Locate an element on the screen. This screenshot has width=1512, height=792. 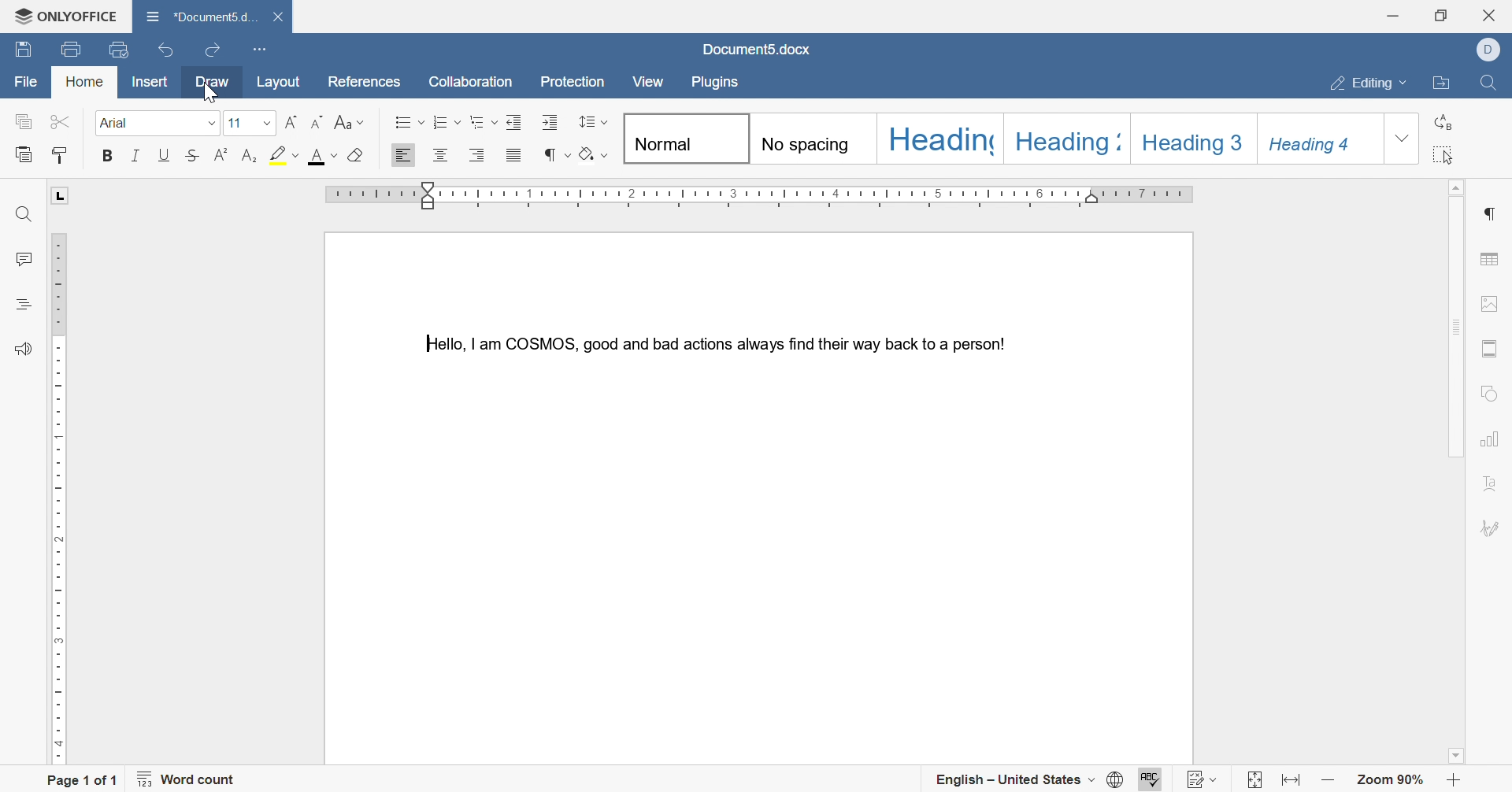
plugins is located at coordinates (716, 83).